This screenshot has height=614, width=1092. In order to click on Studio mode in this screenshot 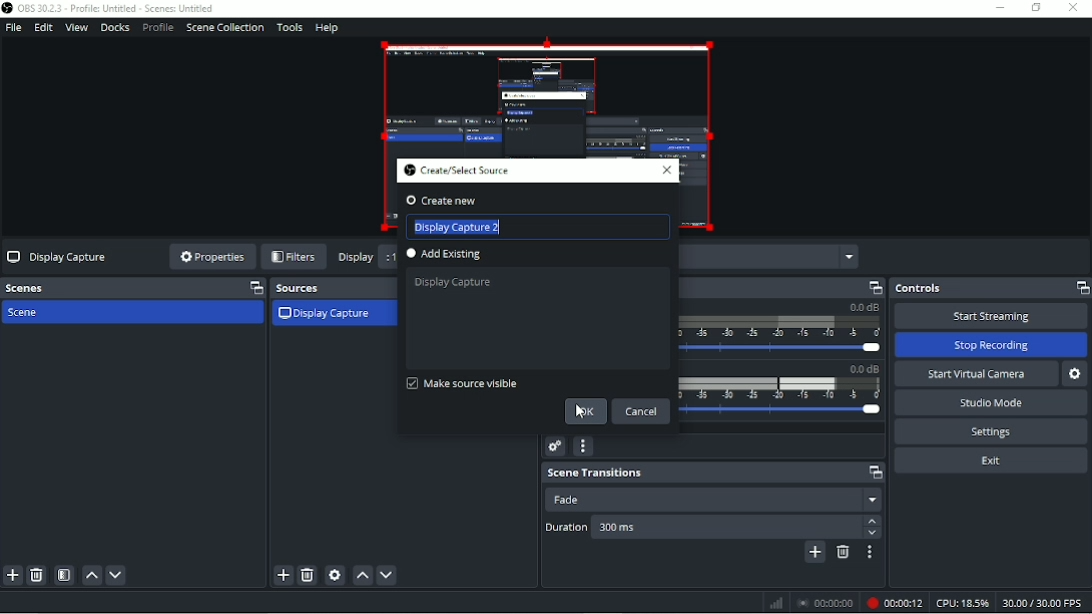, I will do `click(991, 403)`.